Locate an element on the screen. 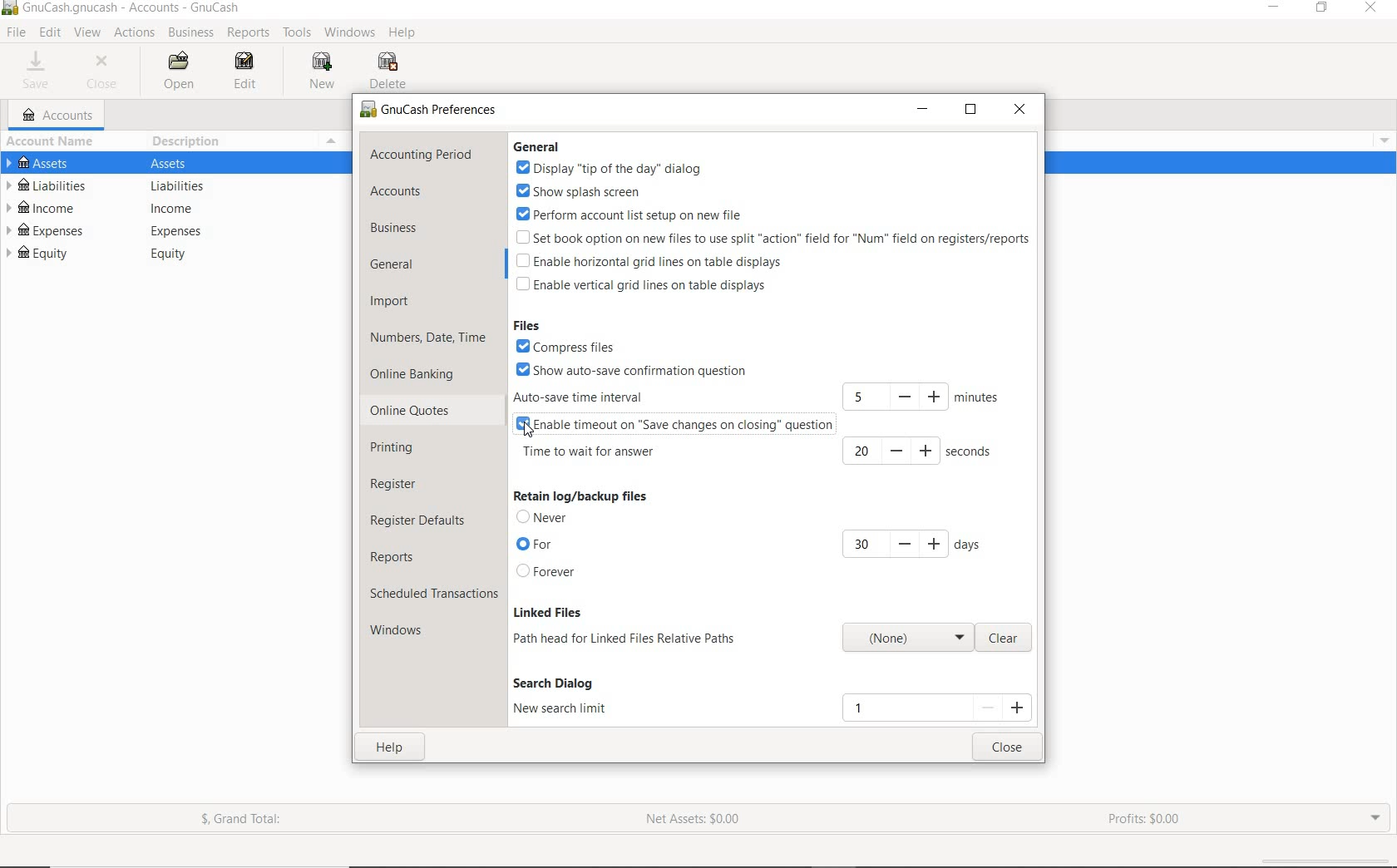 The height and width of the screenshot is (868, 1397). EXPENSES is located at coordinates (171, 230).